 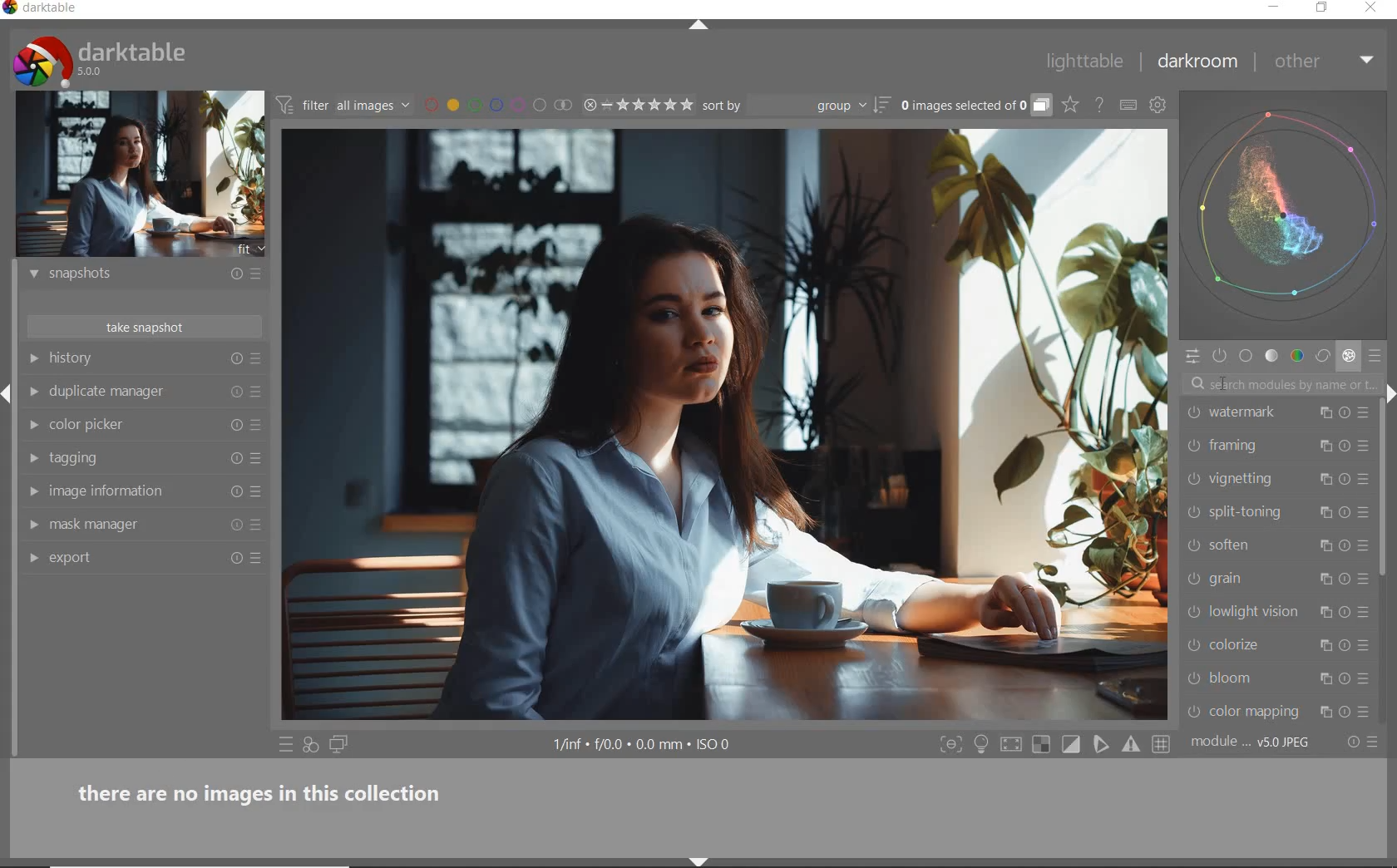 What do you see at coordinates (1365, 612) in the screenshot?
I see `preset and preferences` at bounding box center [1365, 612].